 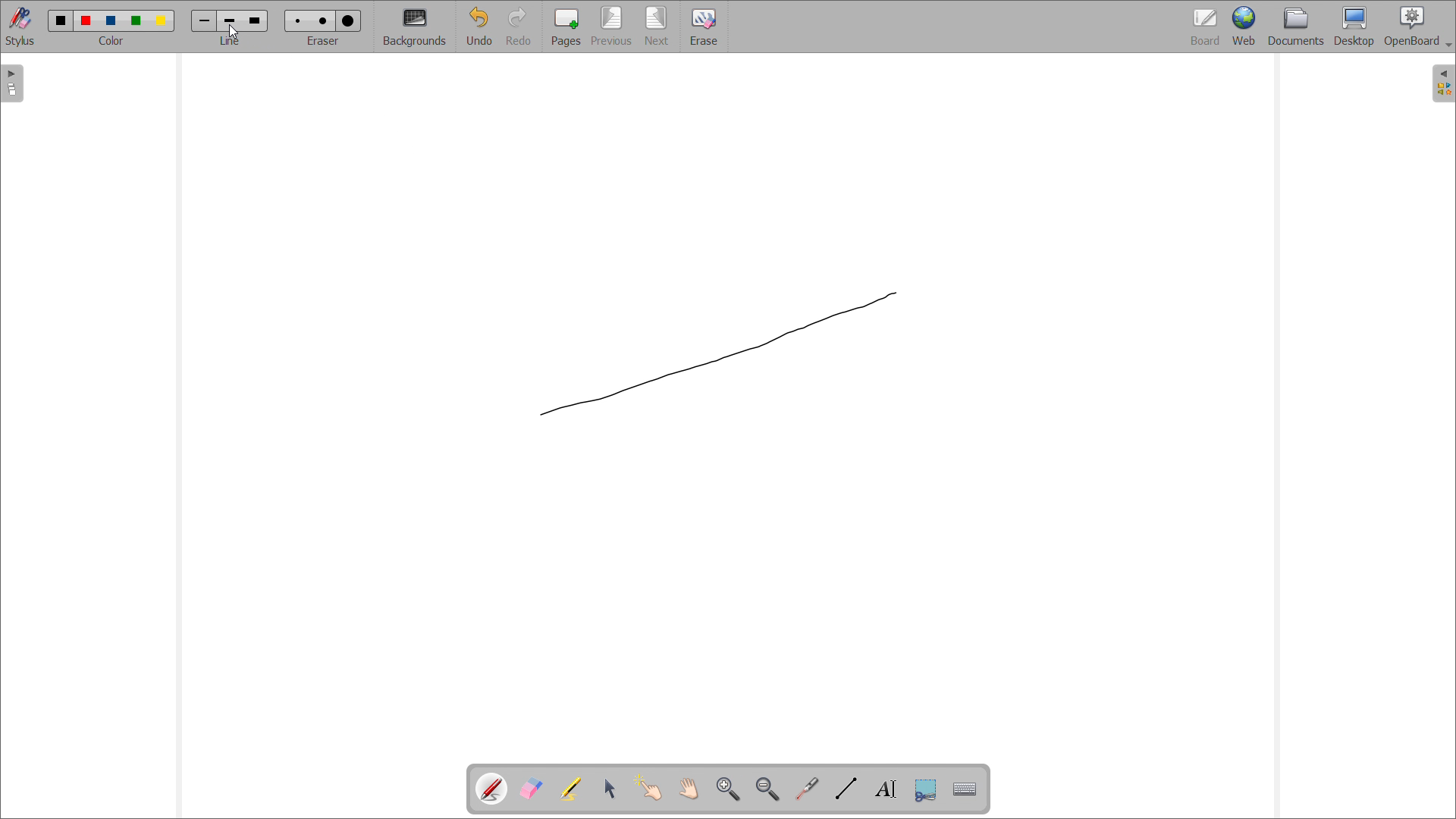 I want to click on select line width, so click(x=230, y=42).